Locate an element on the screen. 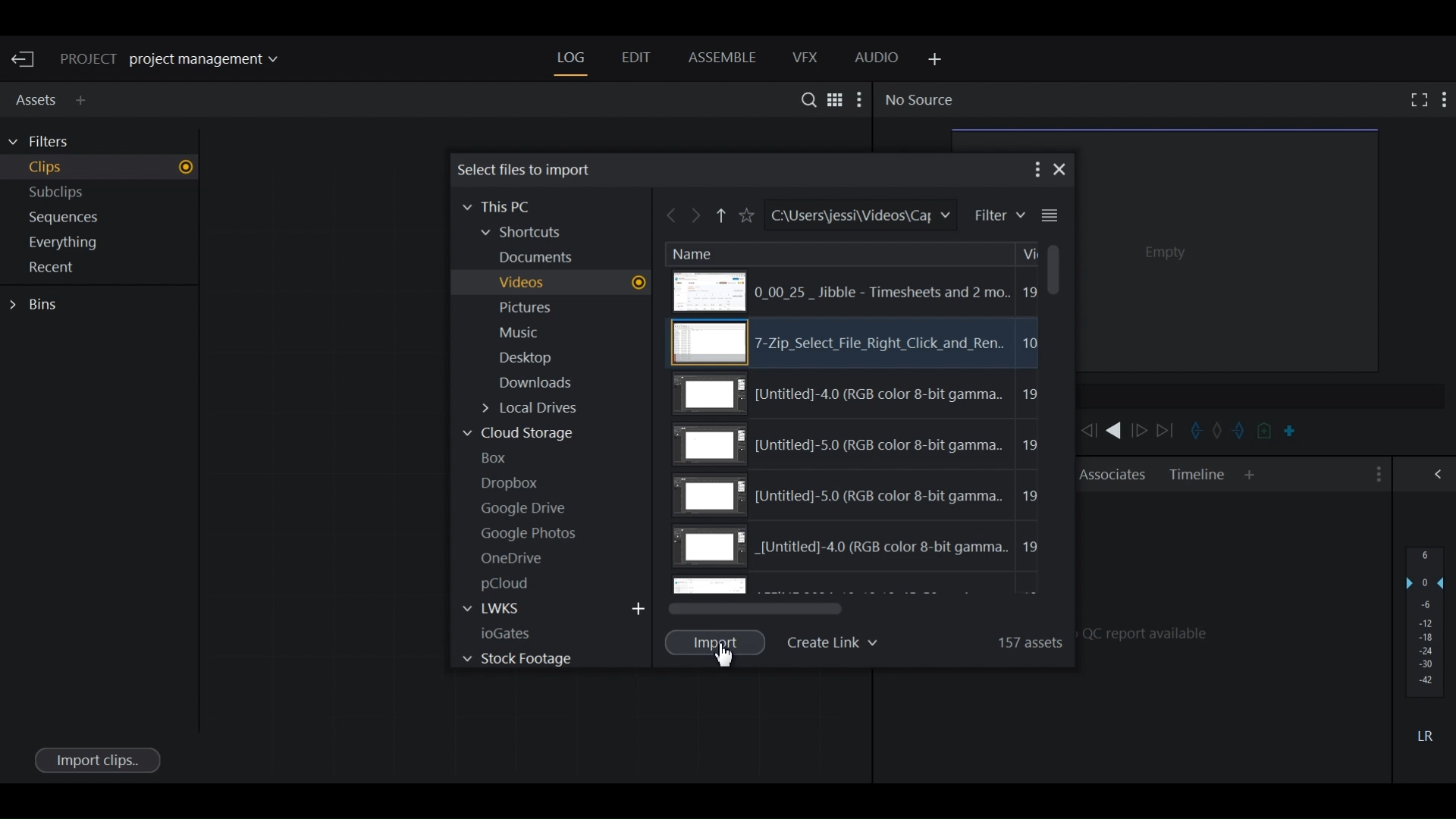 The width and height of the screenshot is (1456, 819). Click to go backward is located at coordinates (672, 218).